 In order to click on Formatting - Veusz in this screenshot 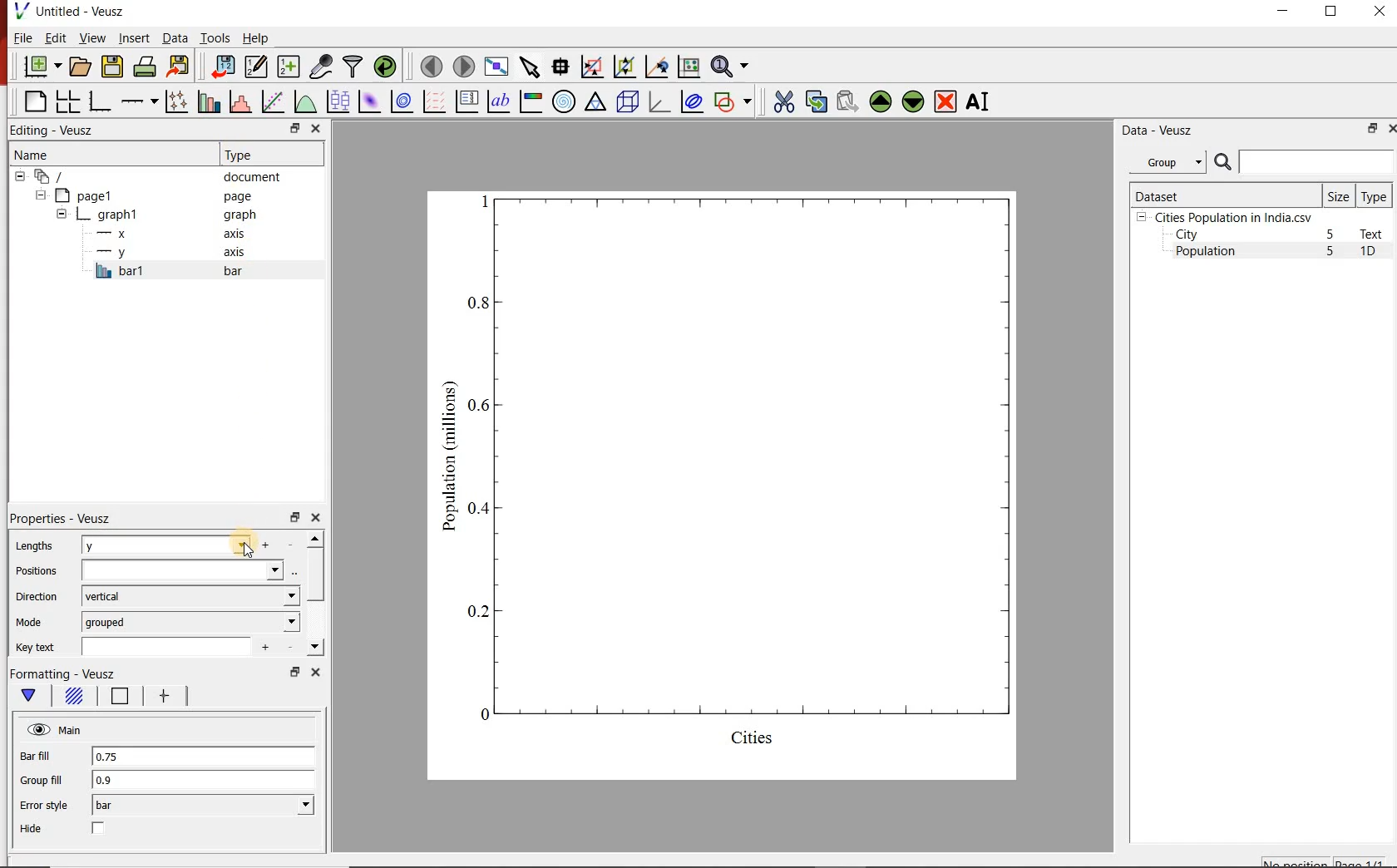, I will do `click(64, 674)`.